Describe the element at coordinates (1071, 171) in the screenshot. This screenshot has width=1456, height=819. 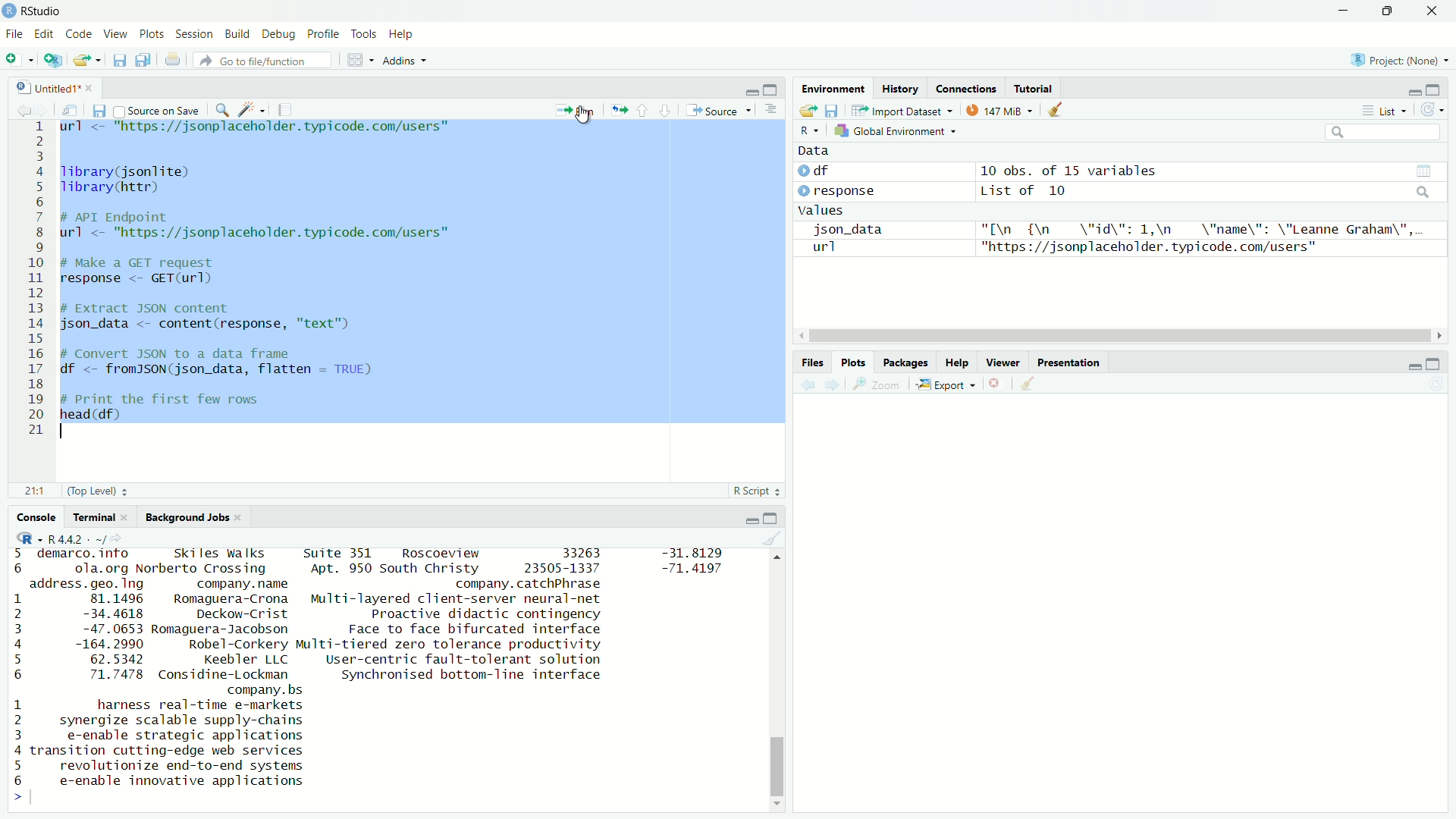
I see `10 obs. of 15 variables` at that location.